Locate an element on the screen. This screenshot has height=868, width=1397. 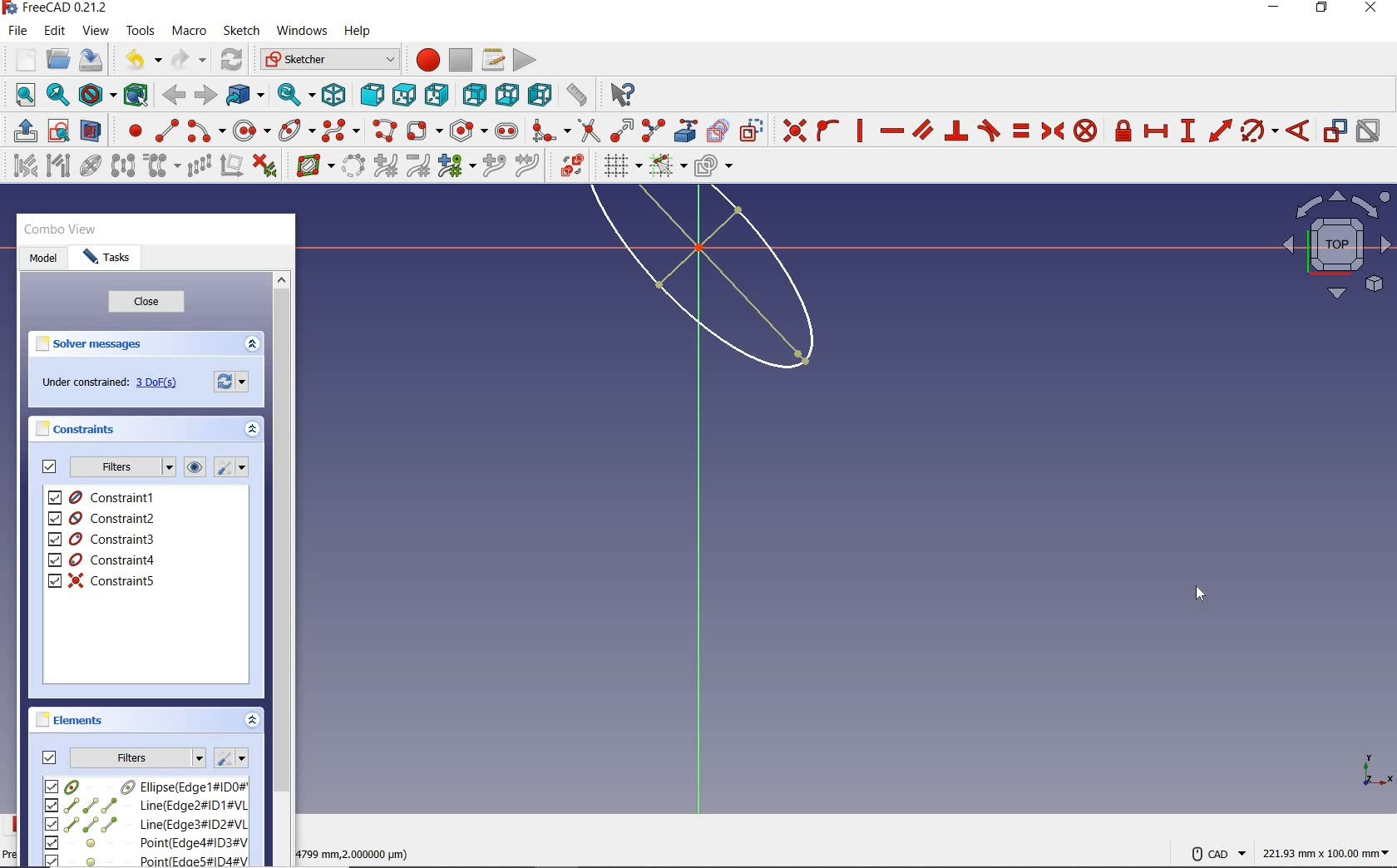
constraint3 is located at coordinates (103, 540).